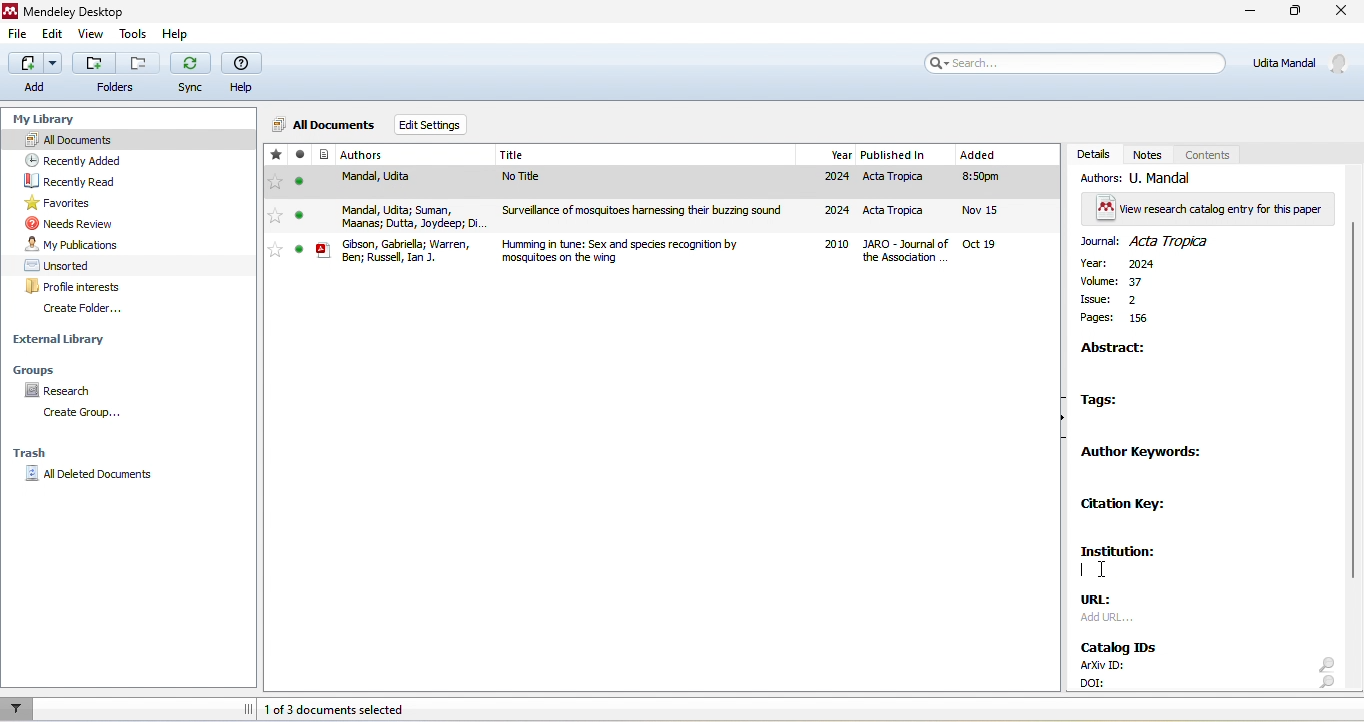 The height and width of the screenshot is (722, 1364). I want to click on 2024, so click(835, 178).